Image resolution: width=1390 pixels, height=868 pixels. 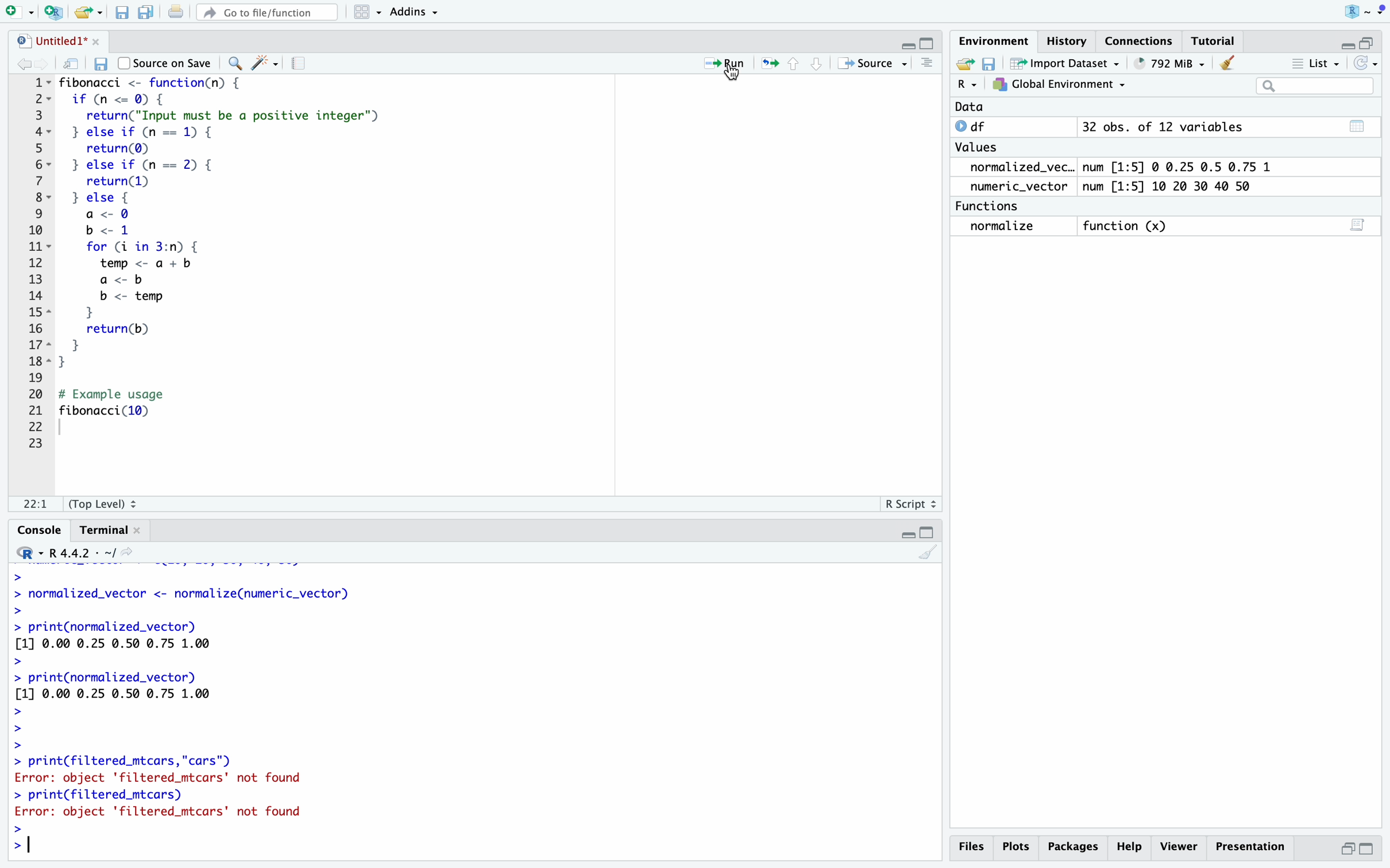 I want to click on show in new window, so click(x=73, y=66).